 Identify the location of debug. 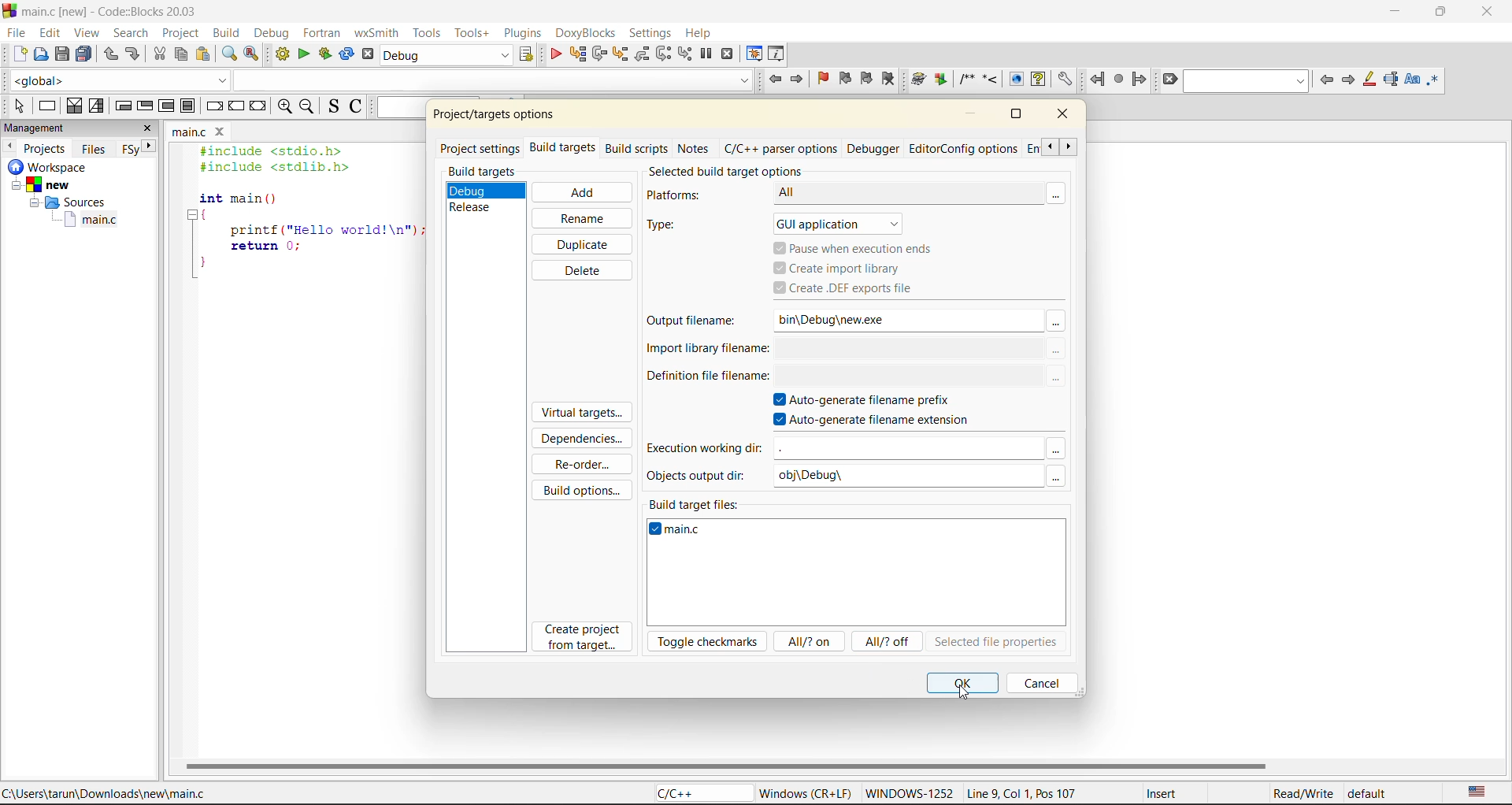
(486, 191).